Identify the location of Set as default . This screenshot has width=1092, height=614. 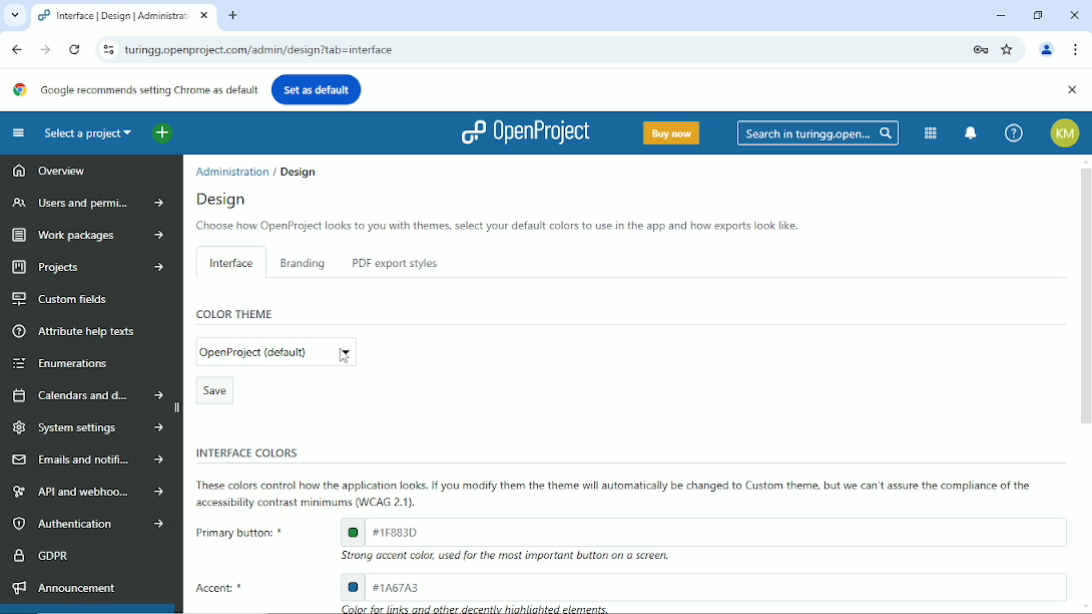
(317, 88).